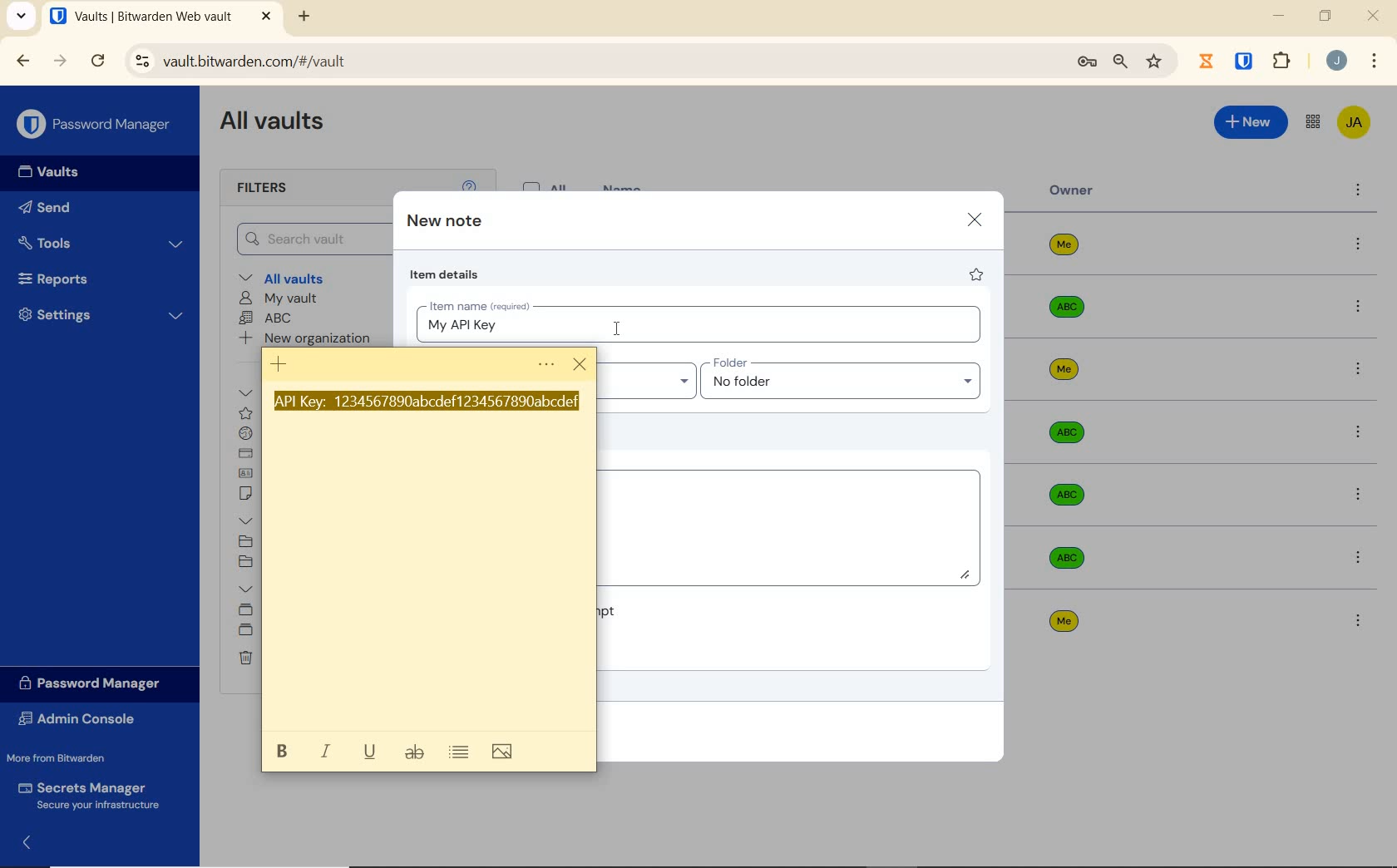  Describe the element at coordinates (618, 328) in the screenshot. I see `cursor` at that location.